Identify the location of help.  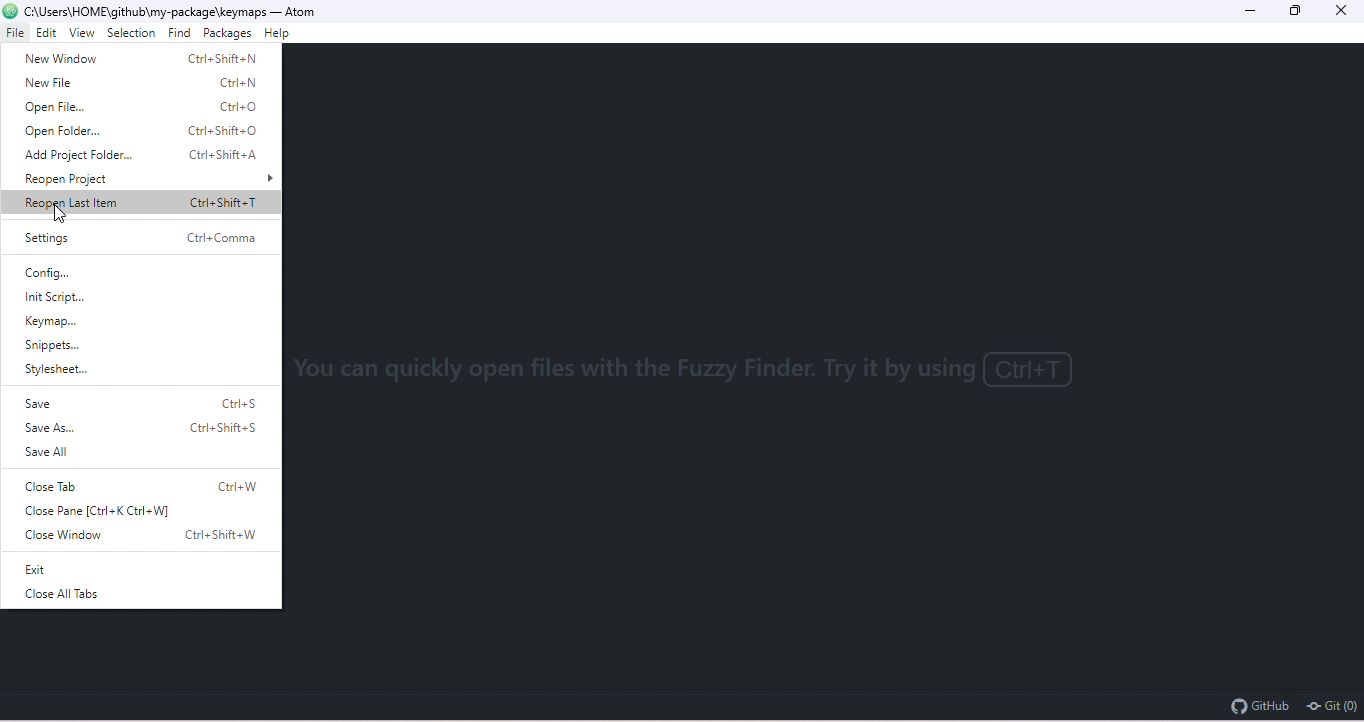
(281, 33).